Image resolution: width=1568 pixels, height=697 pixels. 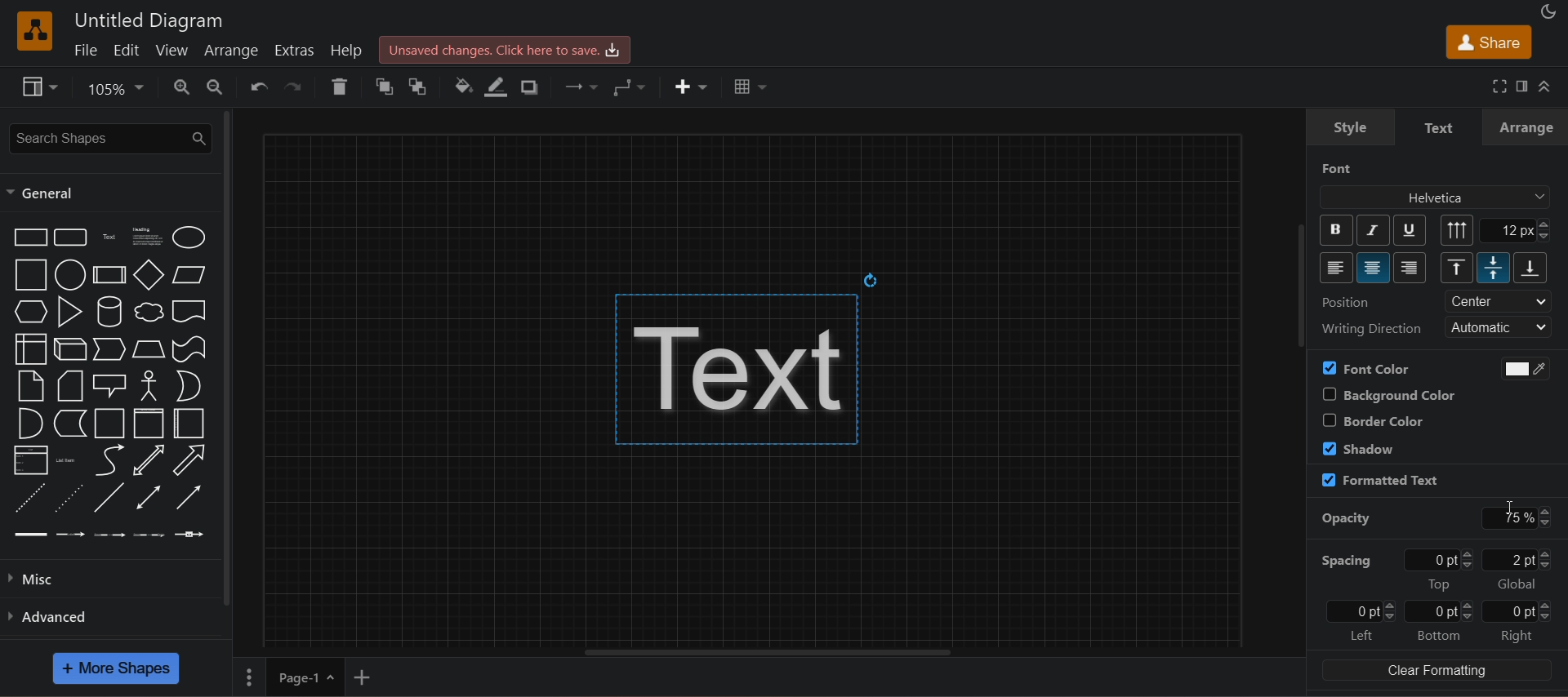 I want to click on square, so click(x=29, y=275).